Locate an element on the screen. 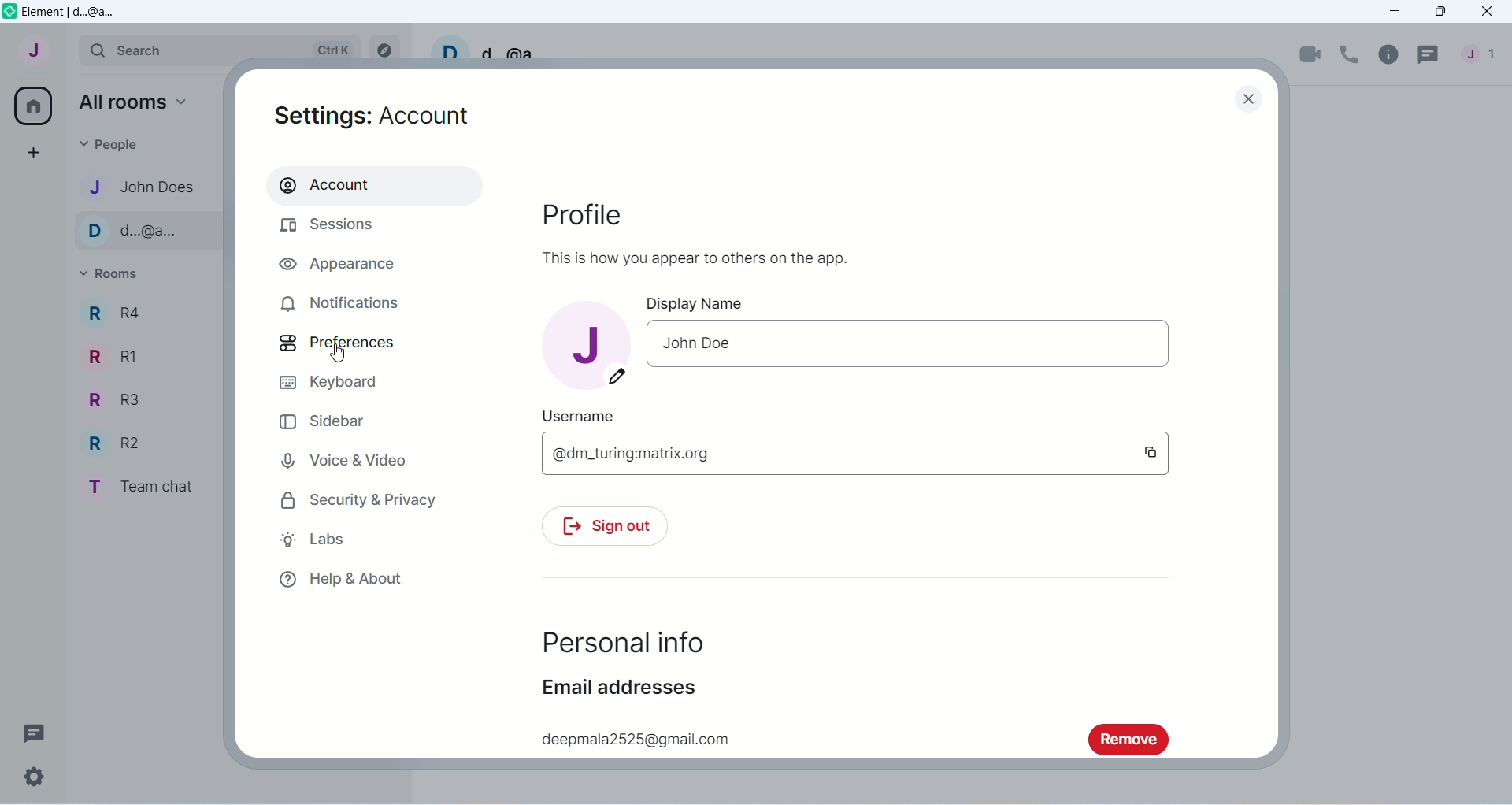 This screenshot has height=805, width=1512. Expand is located at coordinates (68, 48).